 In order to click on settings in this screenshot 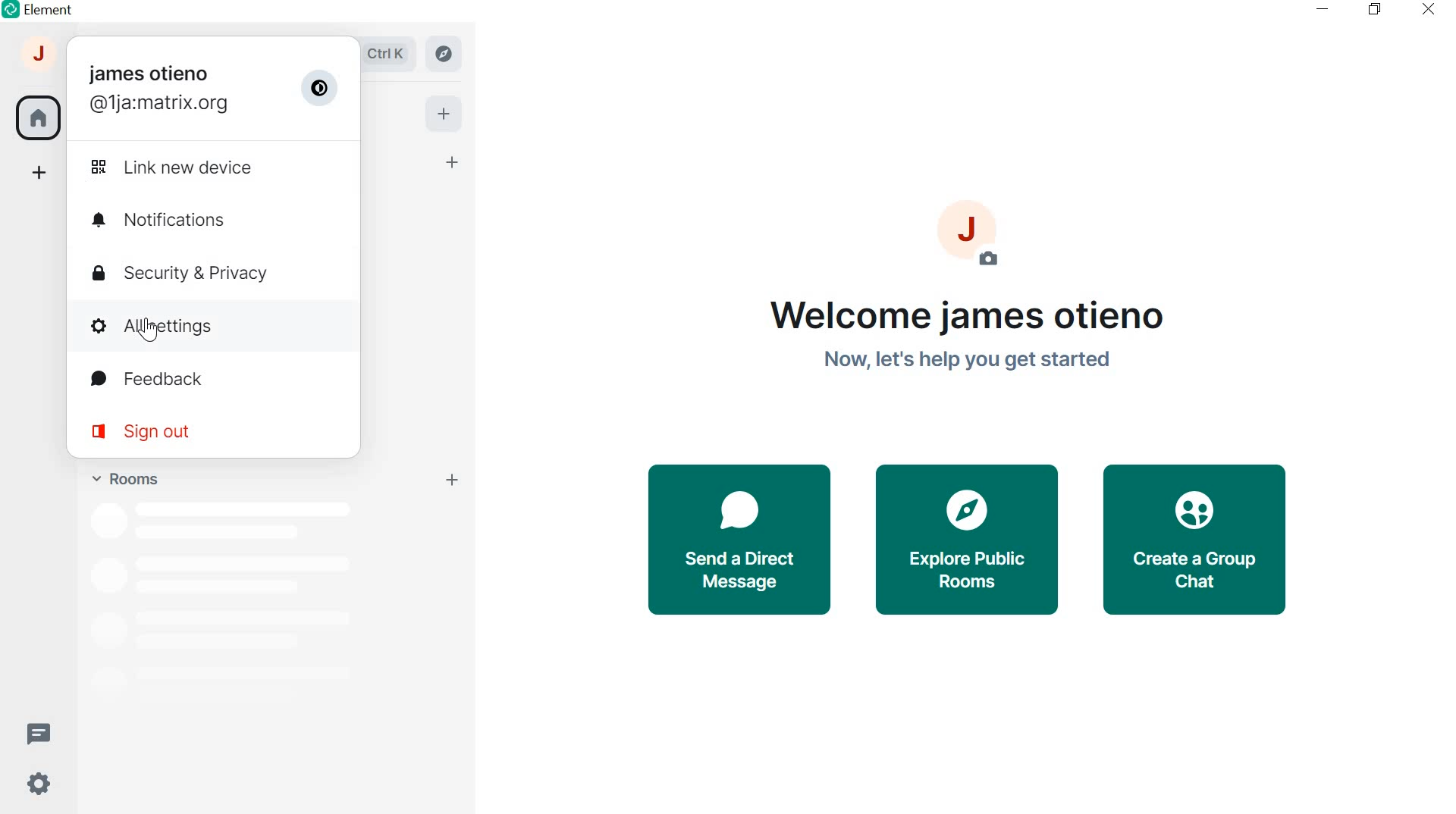, I will do `click(36, 787)`.